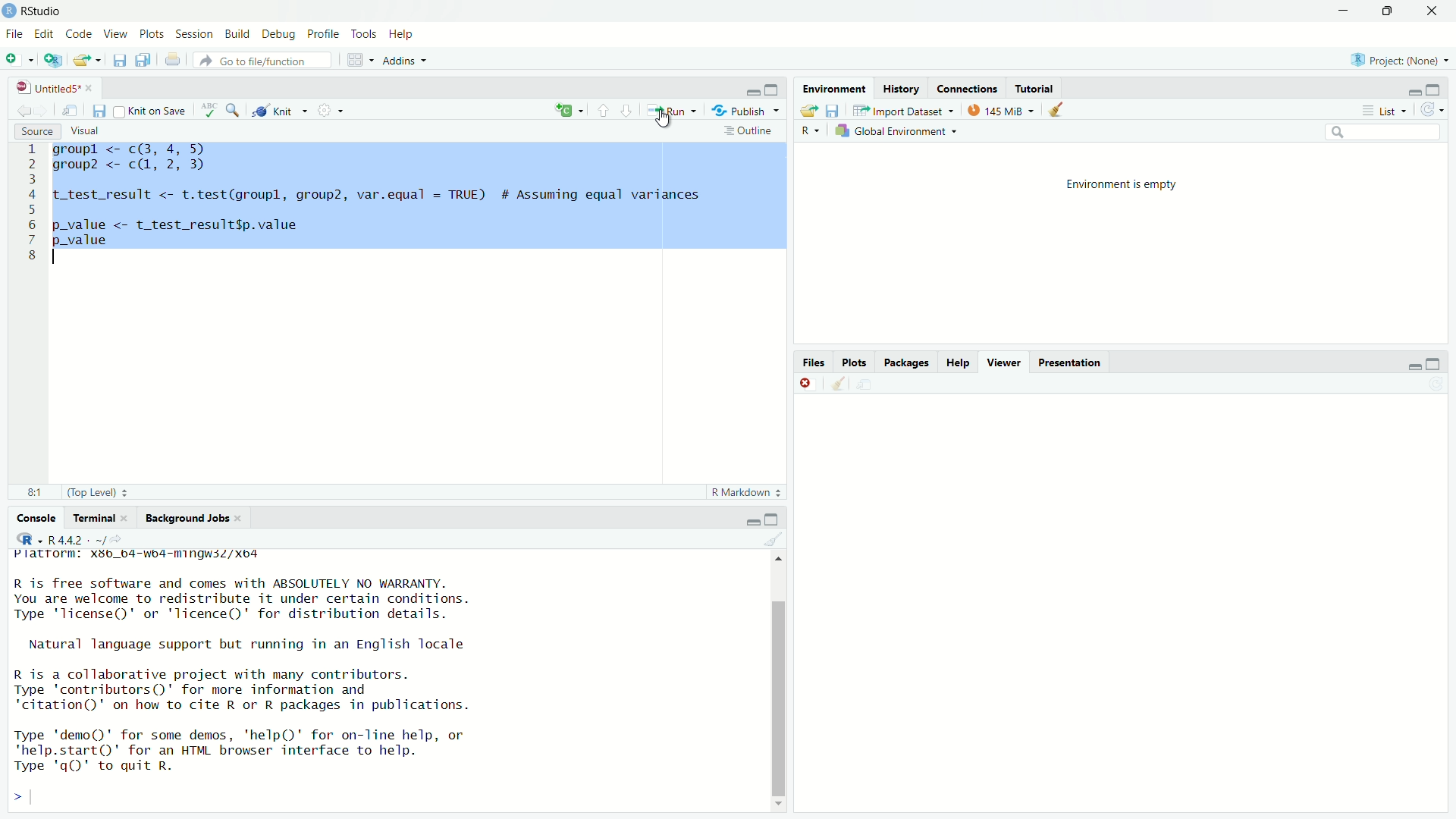 This screenshot has width=1456, height=819. I want to click on close, so click(1428, 11).